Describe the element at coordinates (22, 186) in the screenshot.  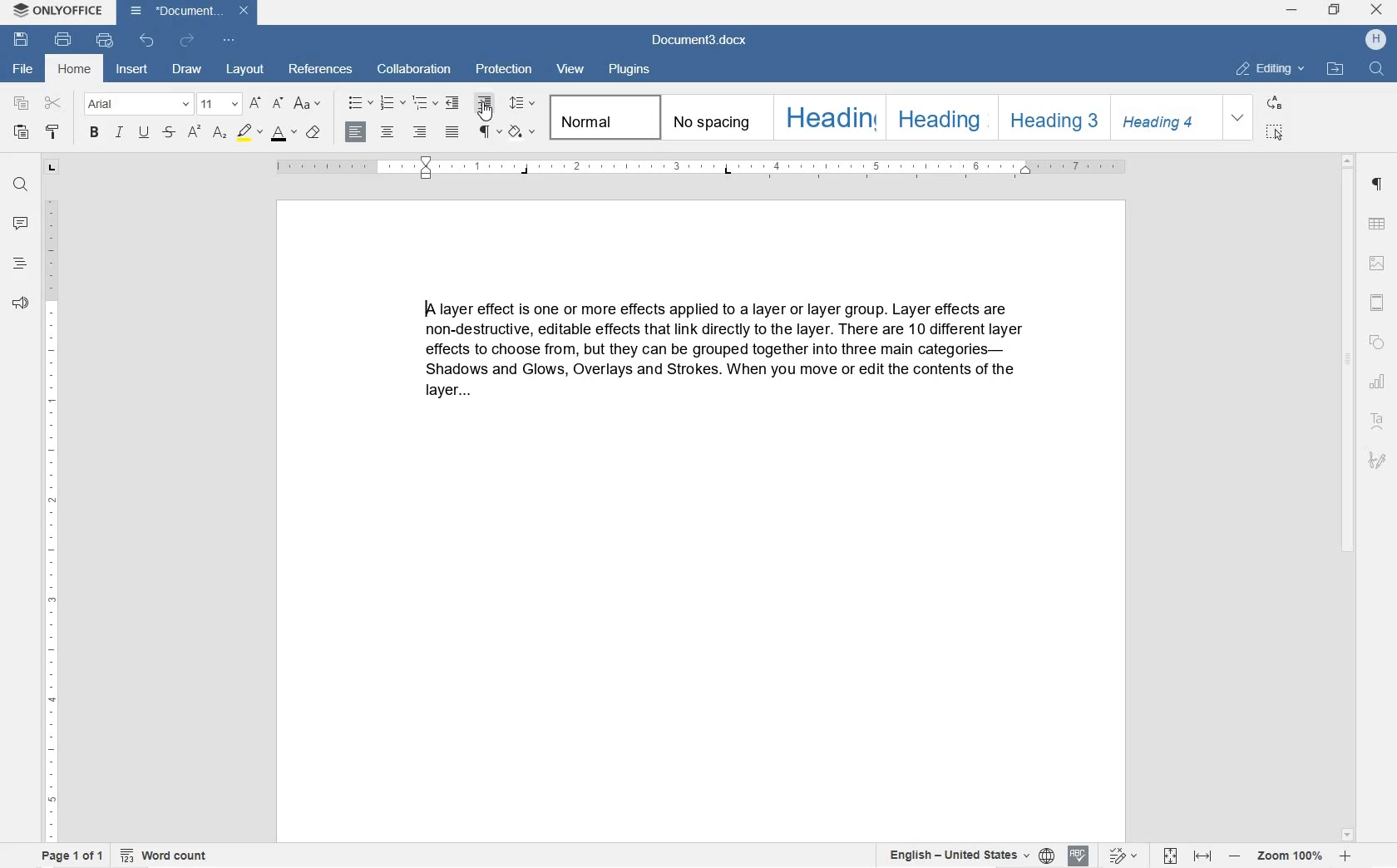
I see `FIND` at that location.